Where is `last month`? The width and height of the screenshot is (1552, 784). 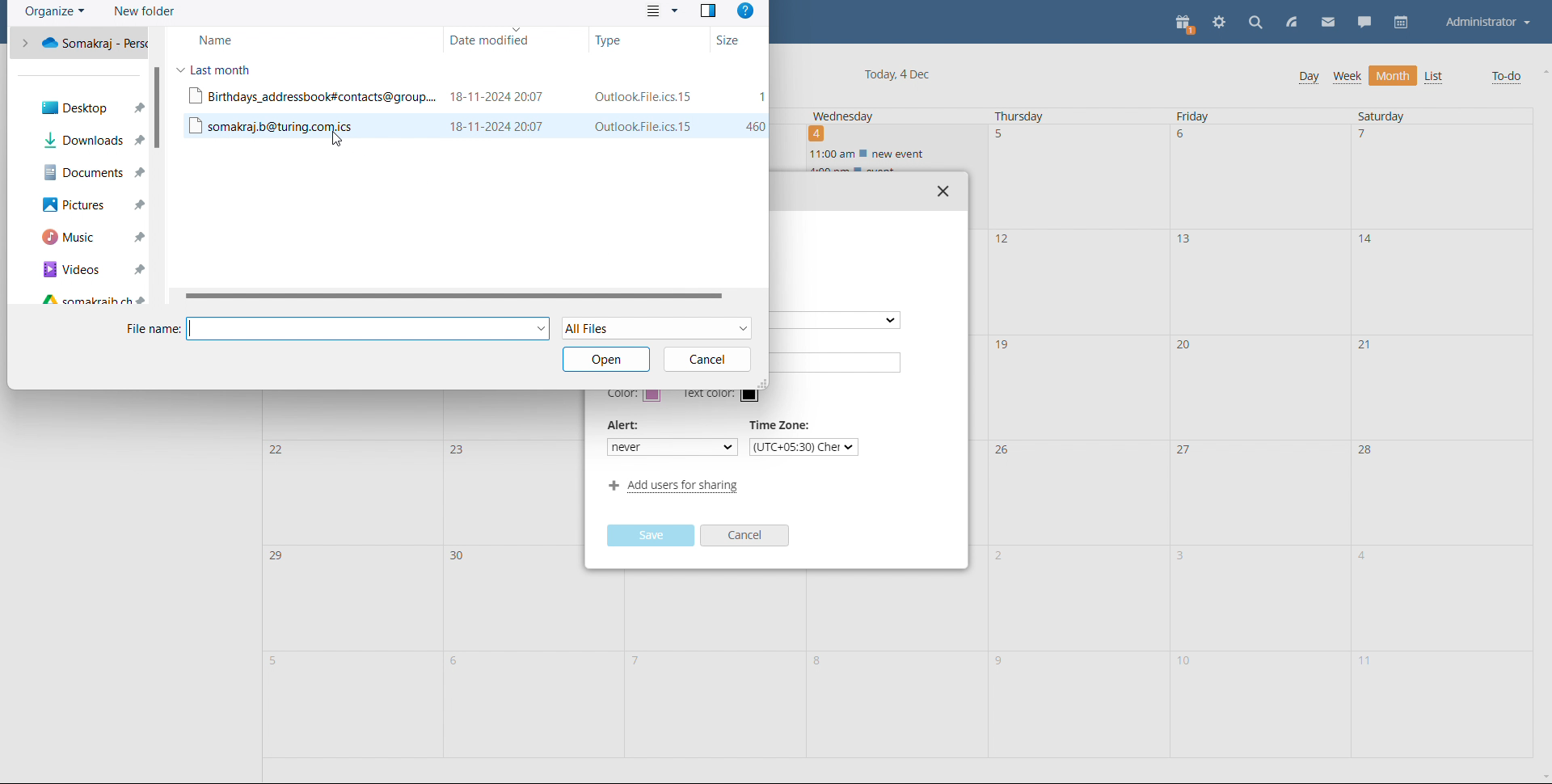
last month is located at coordinates (221, 69).